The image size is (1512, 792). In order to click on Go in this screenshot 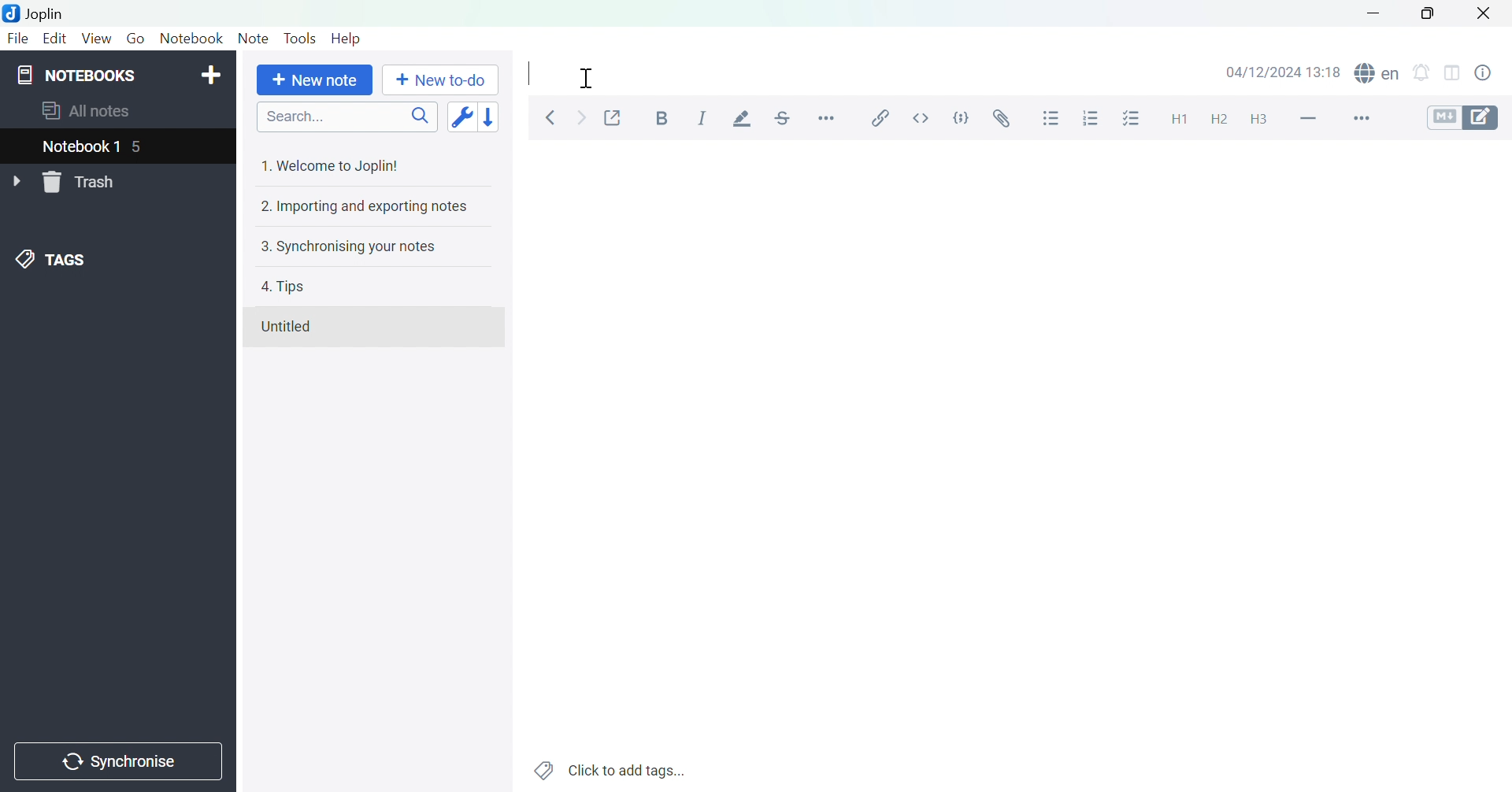, I will do `click(135, 39)`.